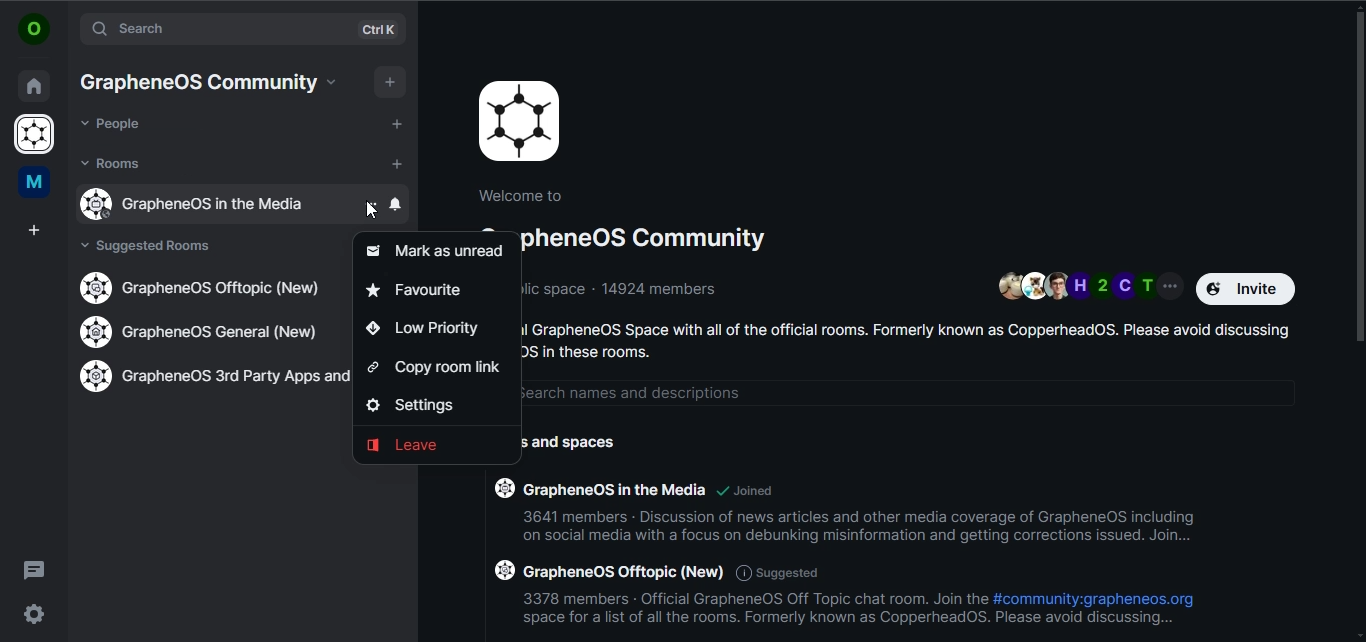  What do you see at coordinates (217, 29) in the screenshot?
I see `search` at bounding box center [217, 29].